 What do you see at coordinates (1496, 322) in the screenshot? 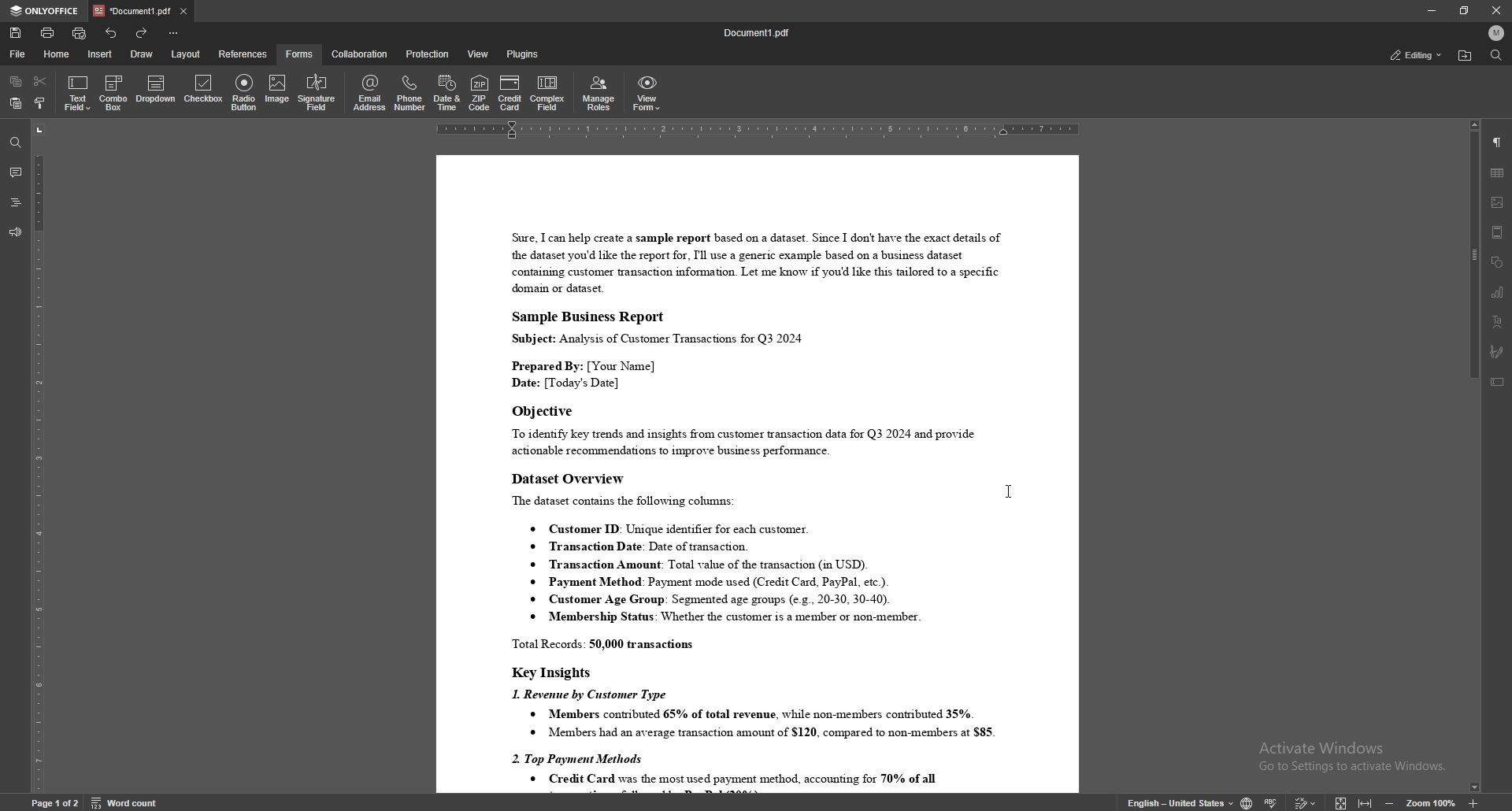
I see `text art` at bounding box center [1496, 322].